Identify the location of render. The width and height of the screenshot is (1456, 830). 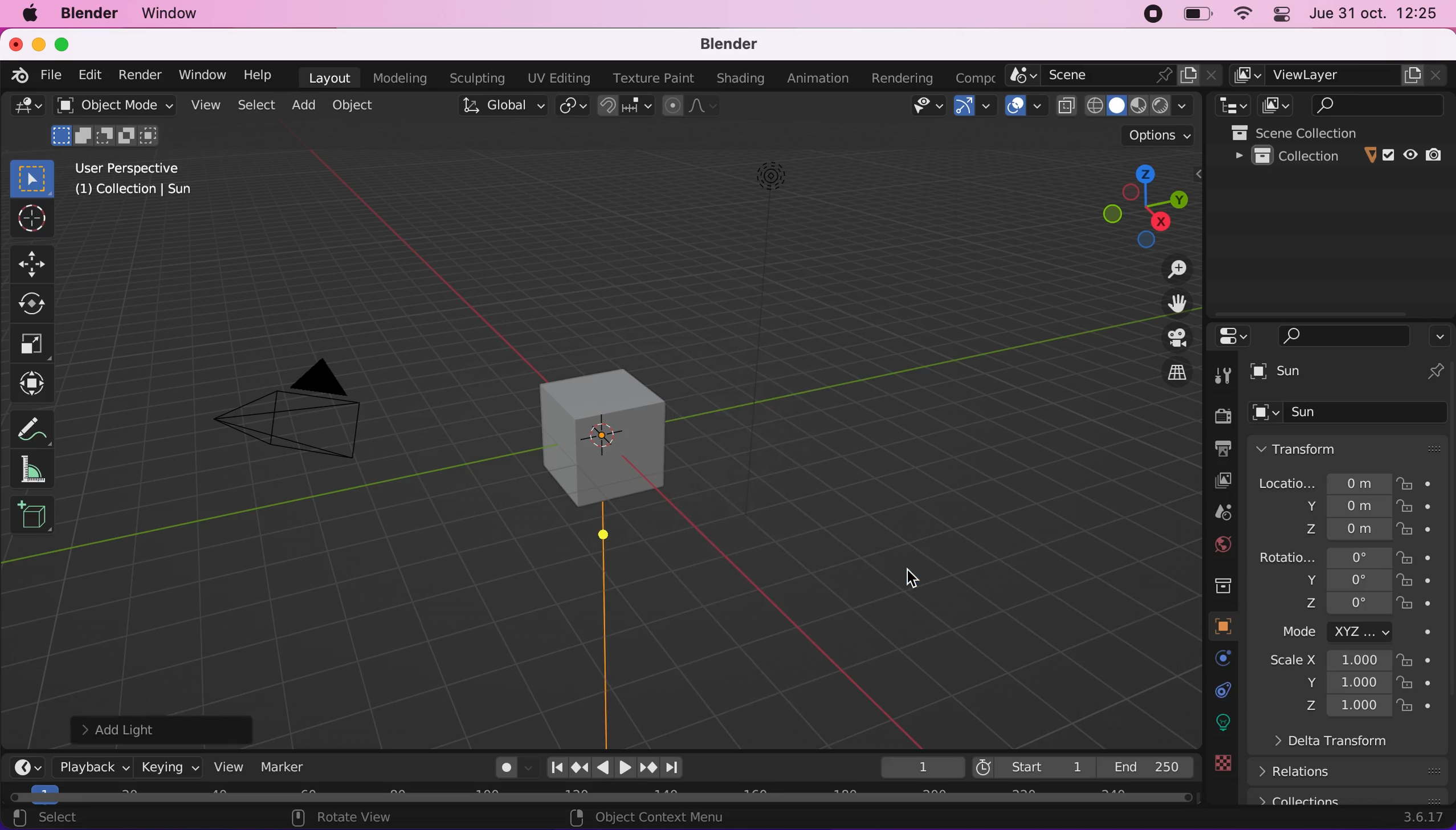
(1218, 415).